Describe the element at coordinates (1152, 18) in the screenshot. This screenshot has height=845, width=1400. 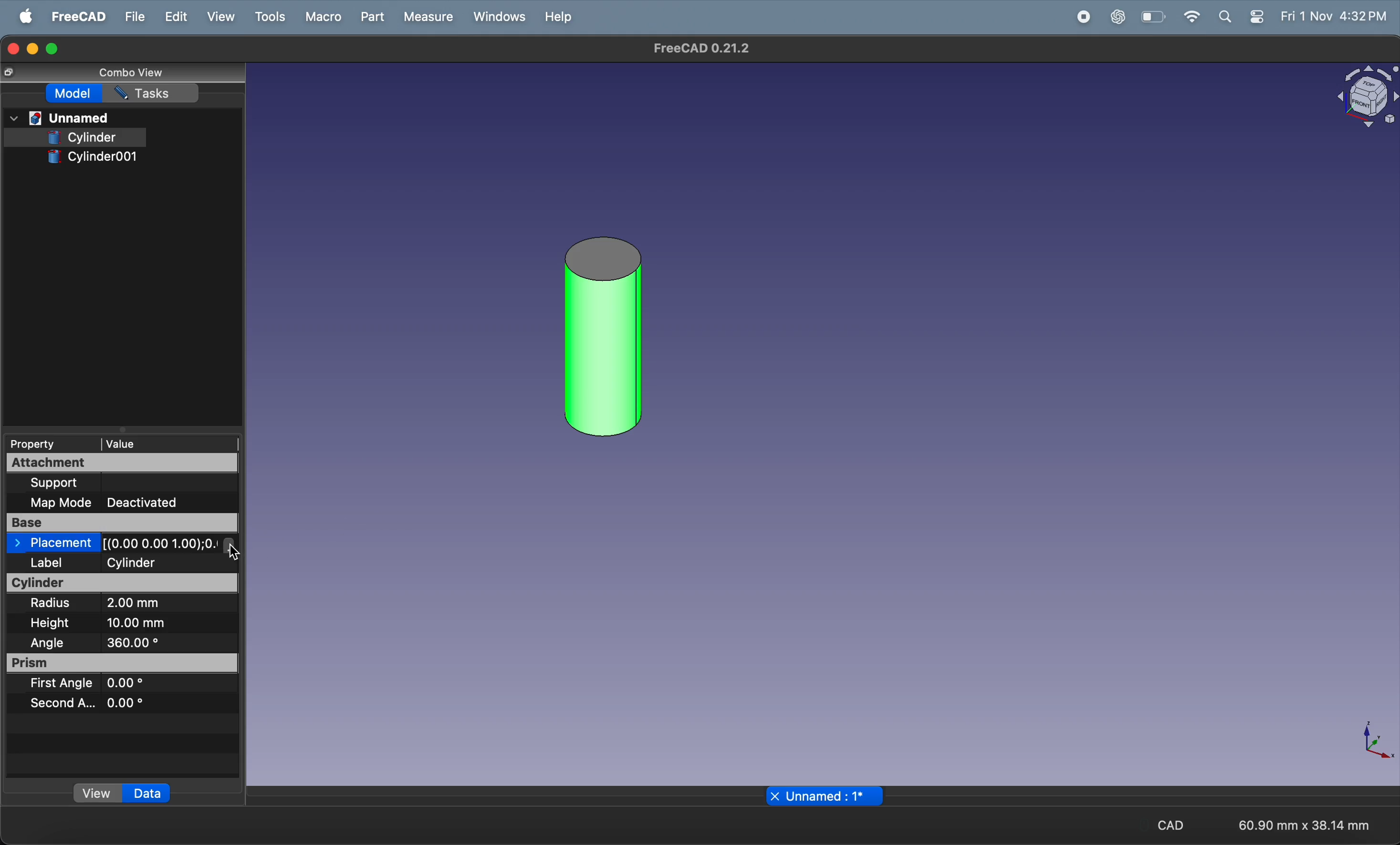
I see `battery` at that location.